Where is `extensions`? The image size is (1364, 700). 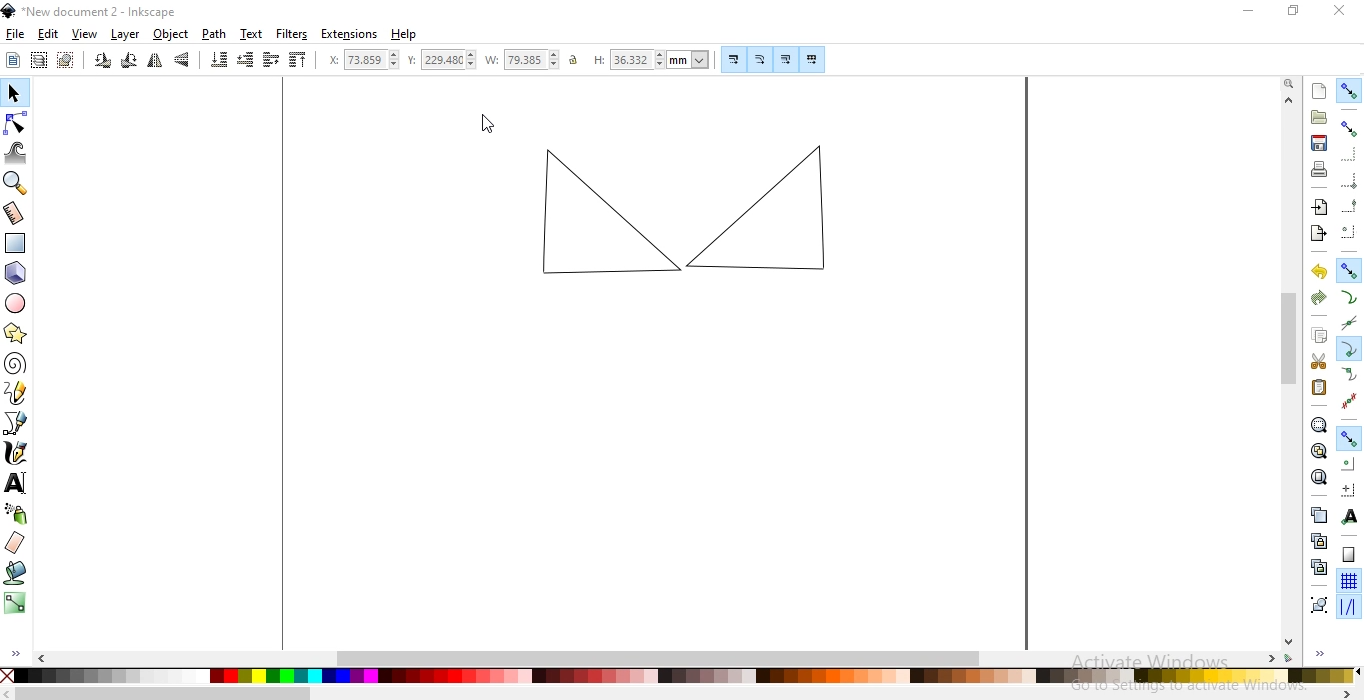
extensions is located at coordinates (350, 35).